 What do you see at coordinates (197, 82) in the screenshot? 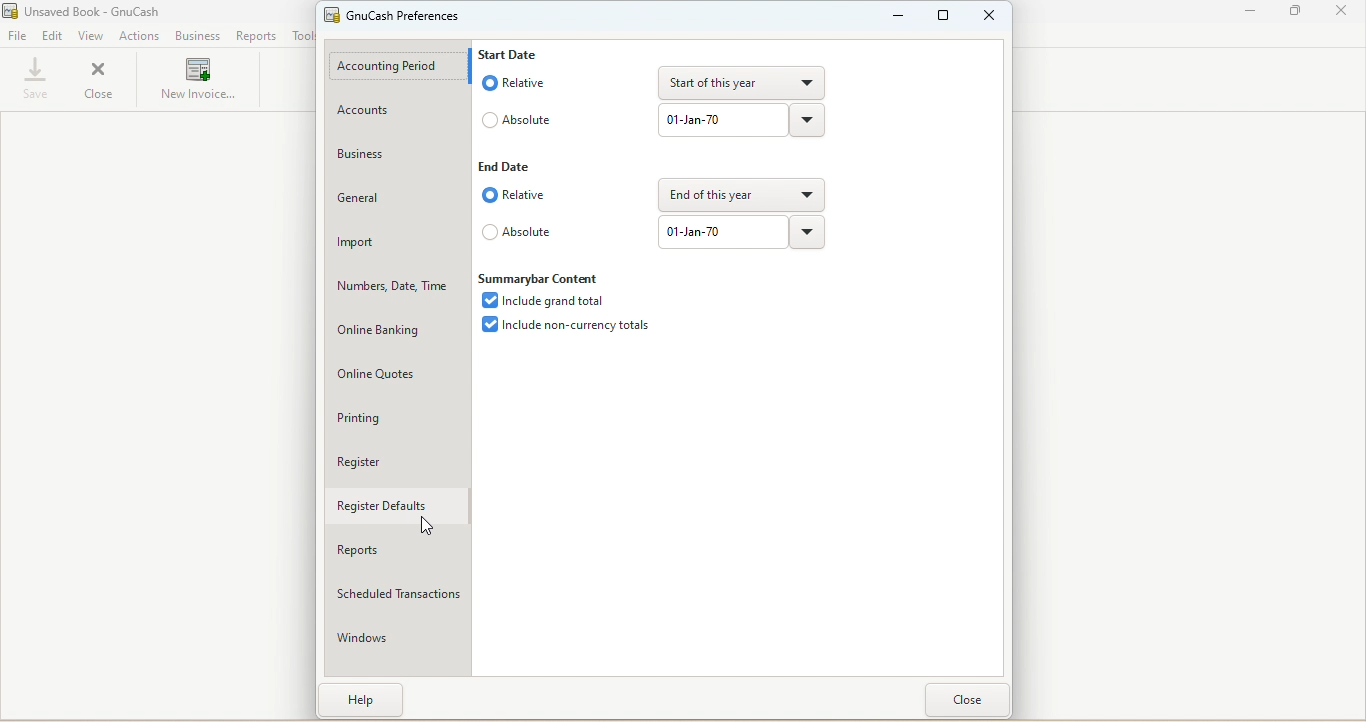
I see `New invoices` at bounding box center [197, 82].